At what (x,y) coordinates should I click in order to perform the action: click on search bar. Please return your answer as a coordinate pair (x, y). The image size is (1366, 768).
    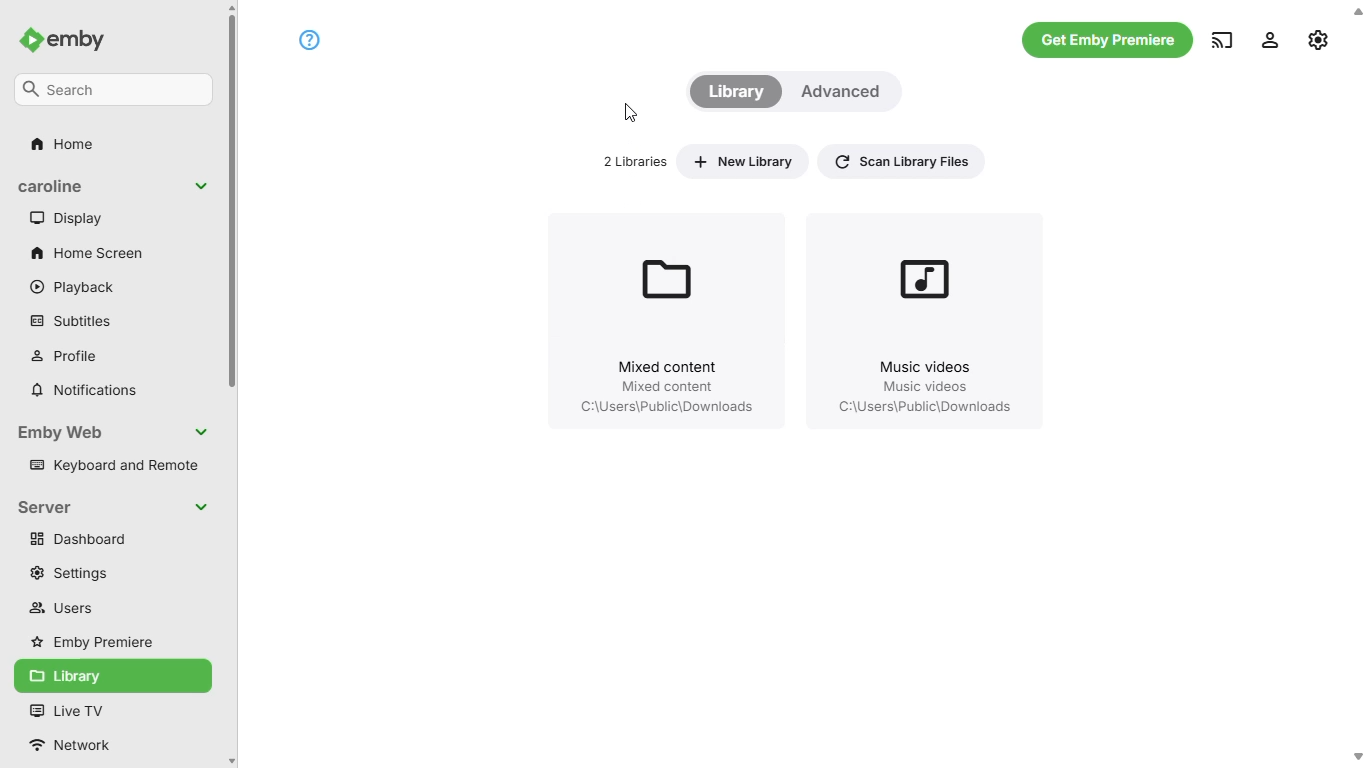
    Looking at the image, I should click on (114, 89).